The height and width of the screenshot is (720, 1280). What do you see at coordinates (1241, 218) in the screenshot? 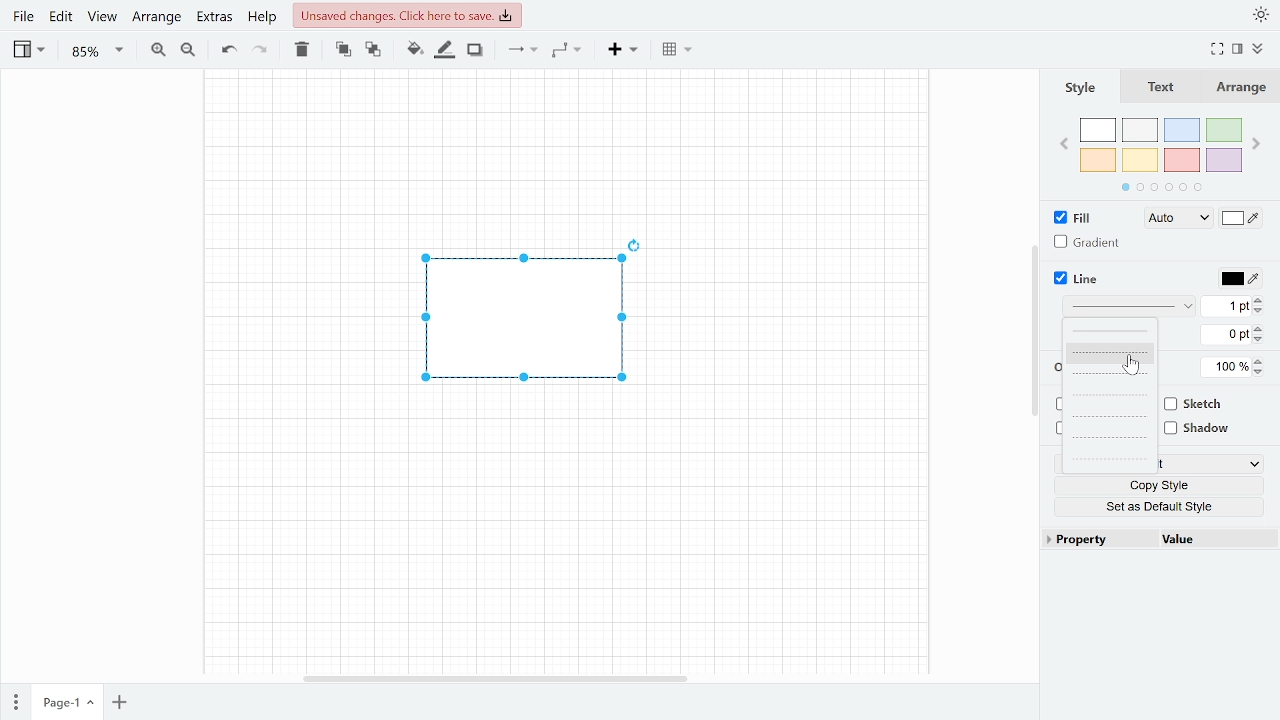
I see `Fill style` at bounding box center [1241, 218].